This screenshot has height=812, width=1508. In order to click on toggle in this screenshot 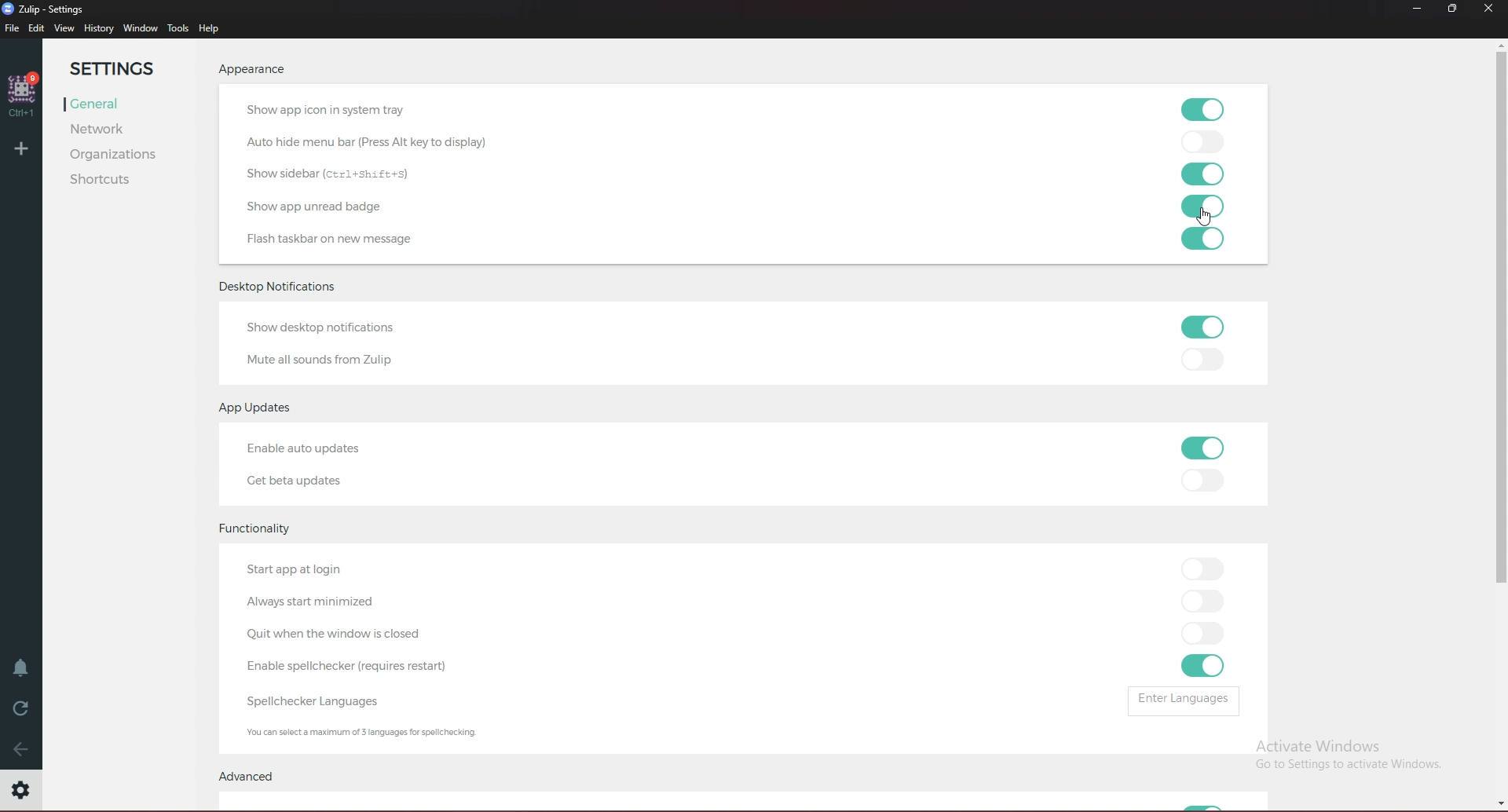, I will do `click(1202, 206)`.